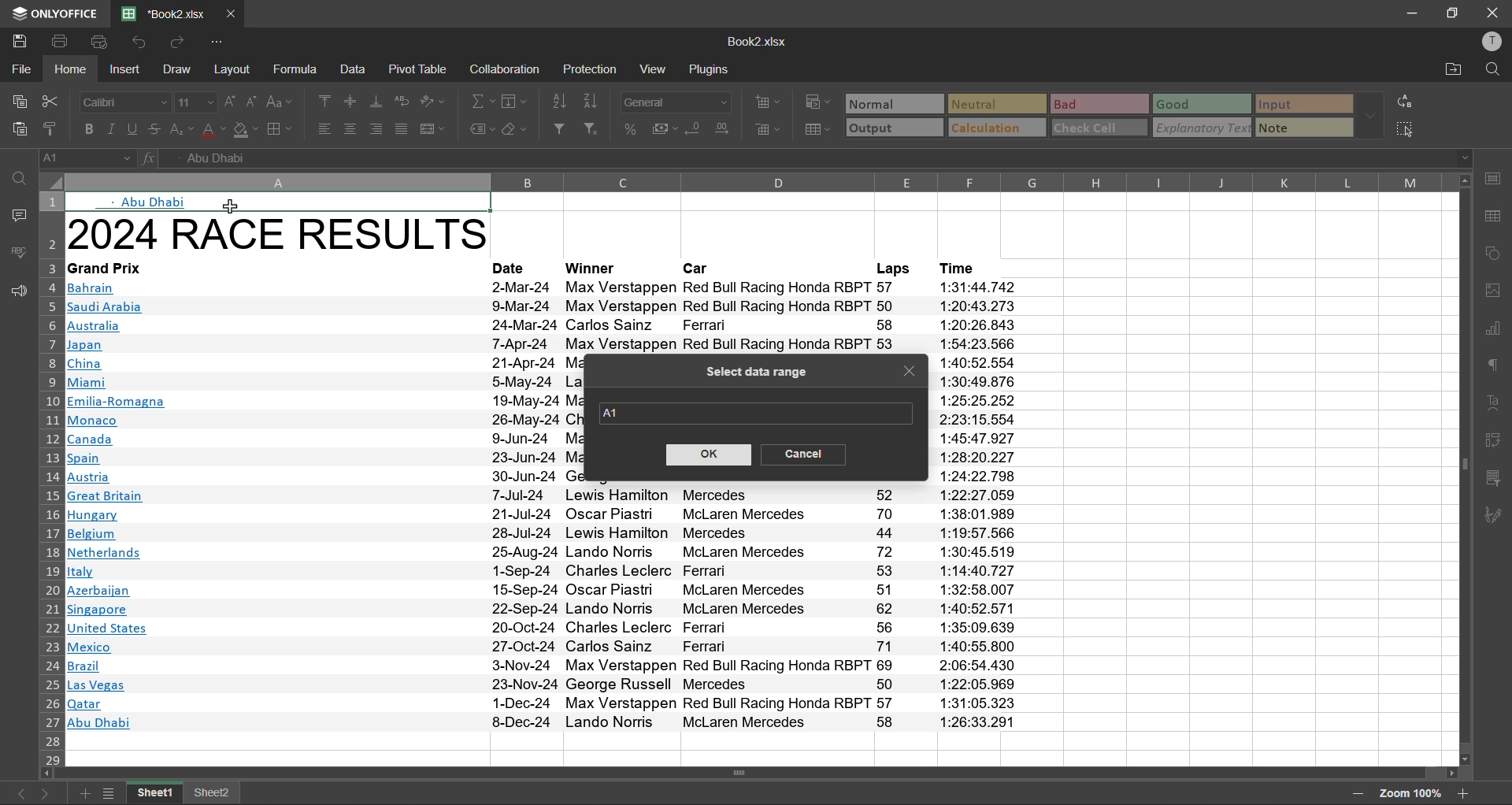 Image resolution: width=1512 pixels, height=805 pixels. What do you see at coordinates (434, 99) in the screenshot?
I see `orientation` at bounding box center [434, 99].